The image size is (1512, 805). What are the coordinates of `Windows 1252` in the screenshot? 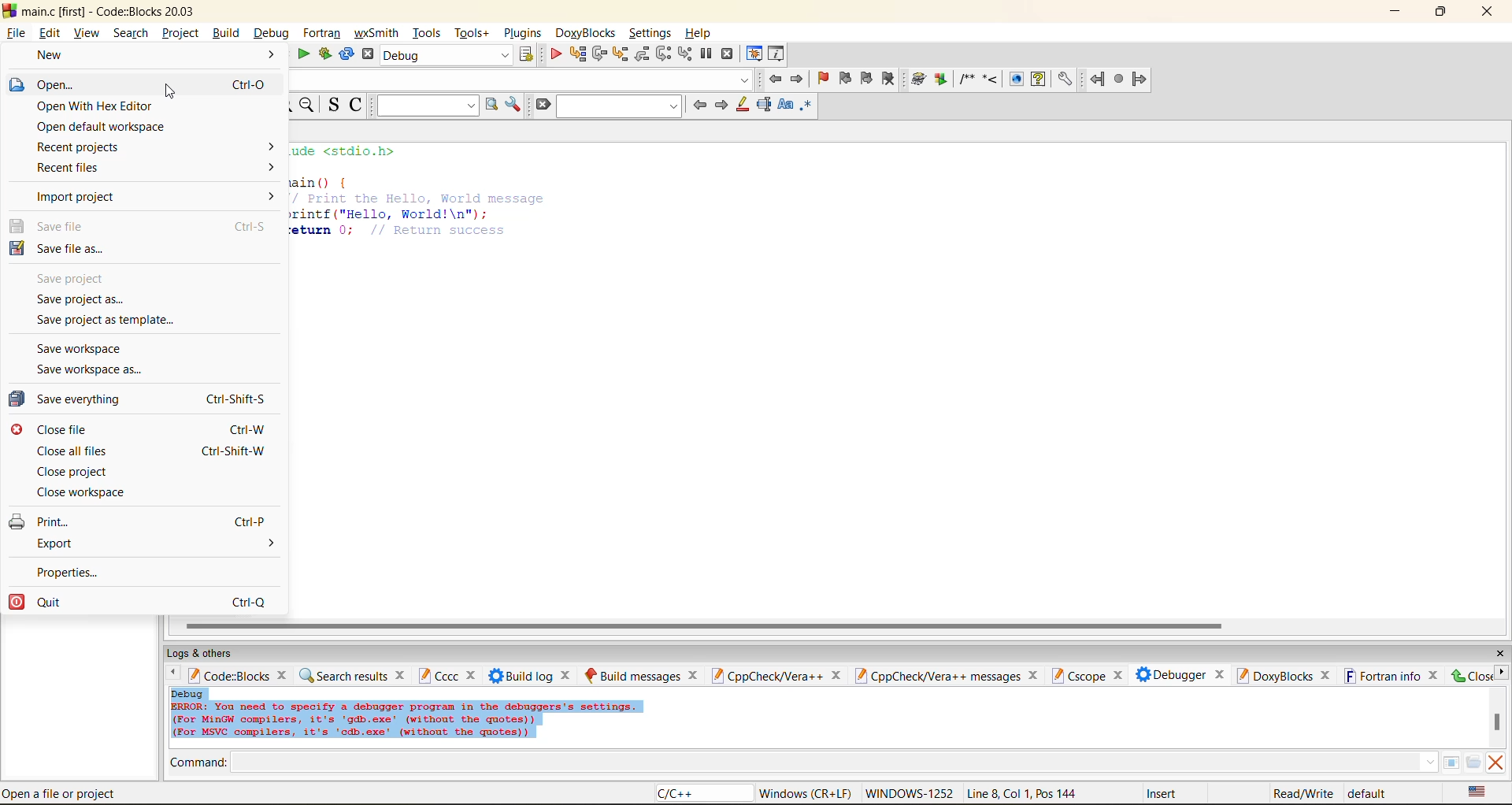 It's located at (910, 794).